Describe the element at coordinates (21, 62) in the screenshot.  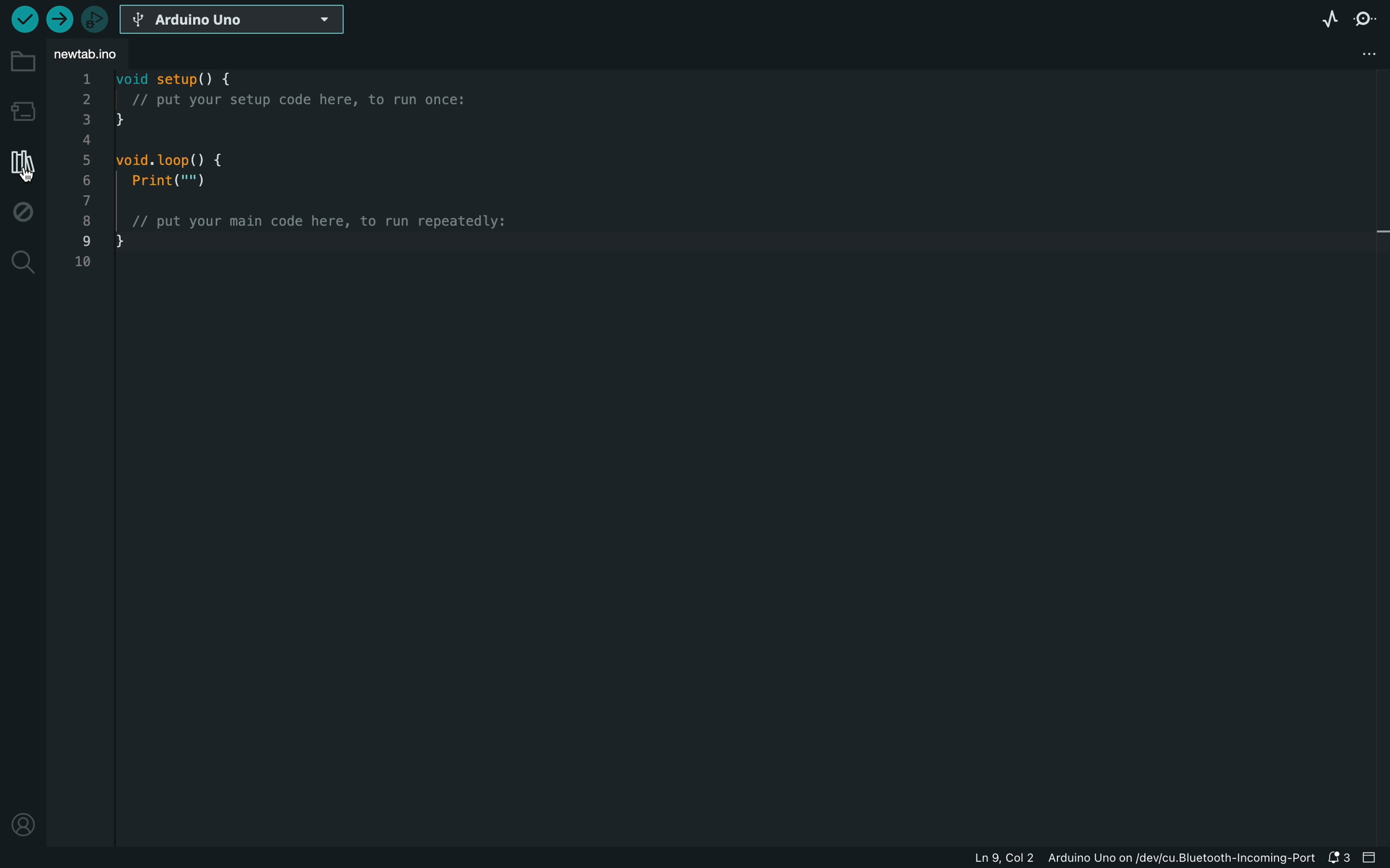
I see `folder` at that location.